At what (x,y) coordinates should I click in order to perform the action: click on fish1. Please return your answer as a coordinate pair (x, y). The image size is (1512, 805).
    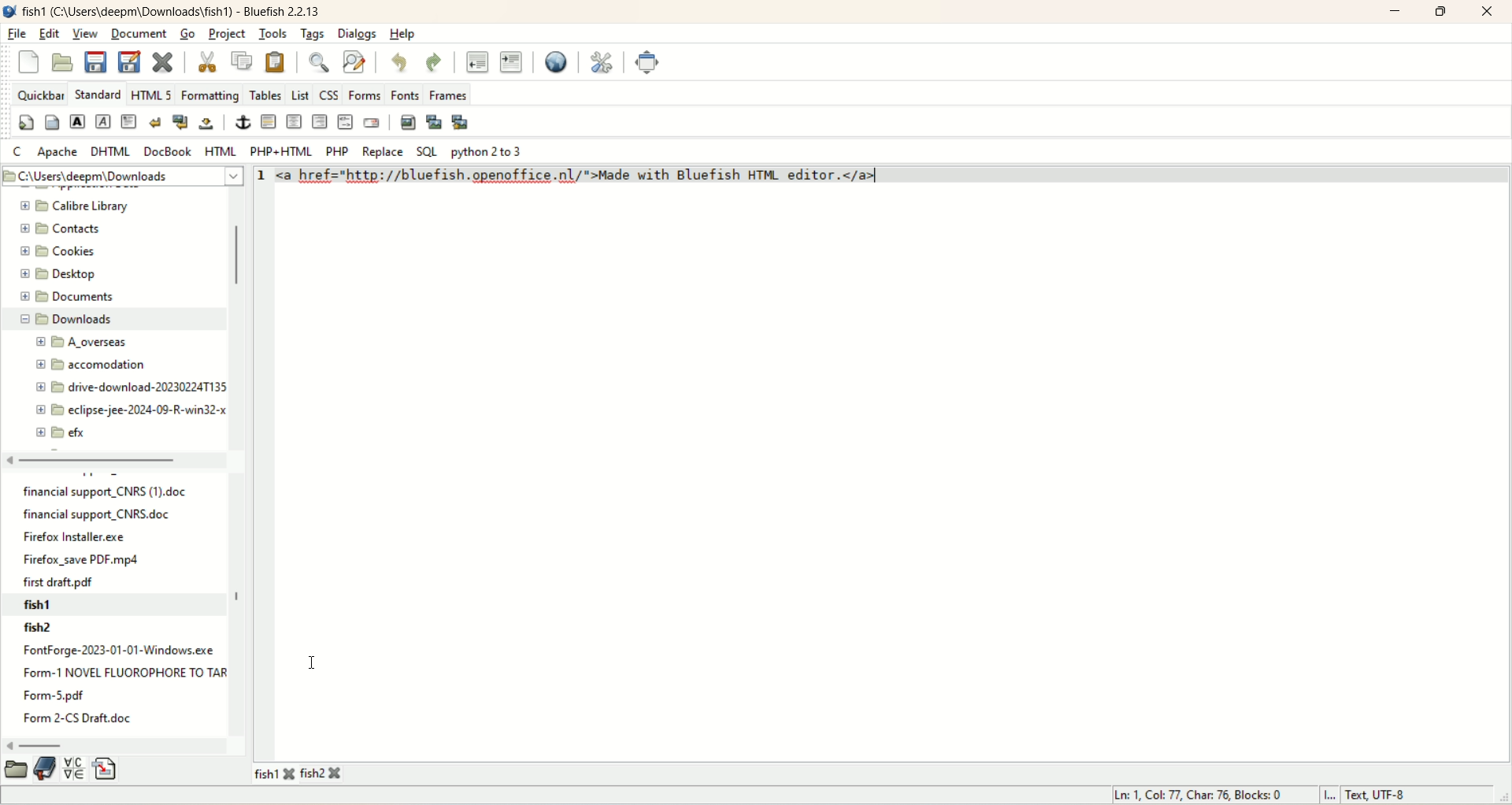
    Looking at the image, I should click on (116, 605).